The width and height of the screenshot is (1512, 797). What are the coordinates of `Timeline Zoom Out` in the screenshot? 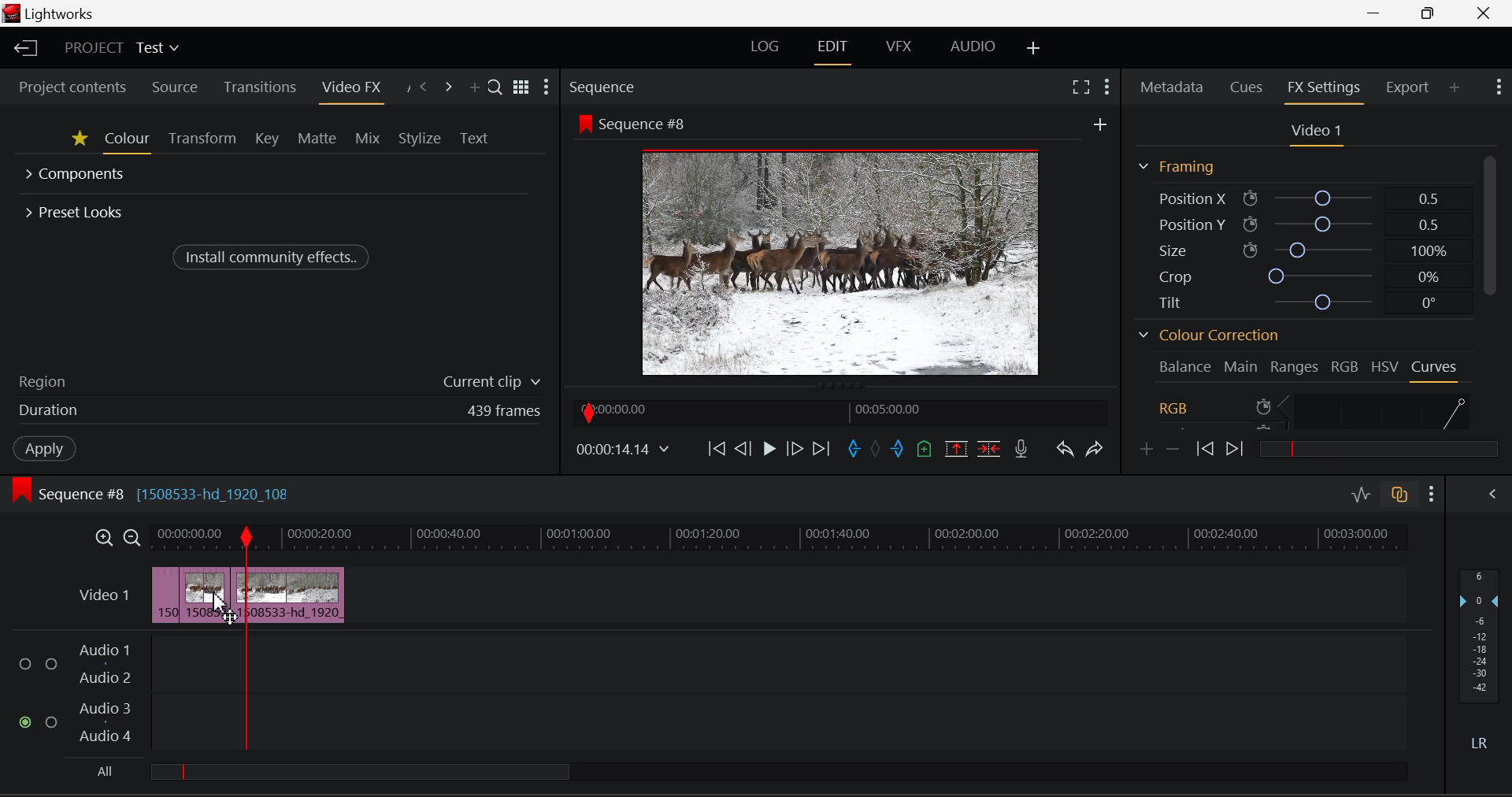 It's located at (131, 538).